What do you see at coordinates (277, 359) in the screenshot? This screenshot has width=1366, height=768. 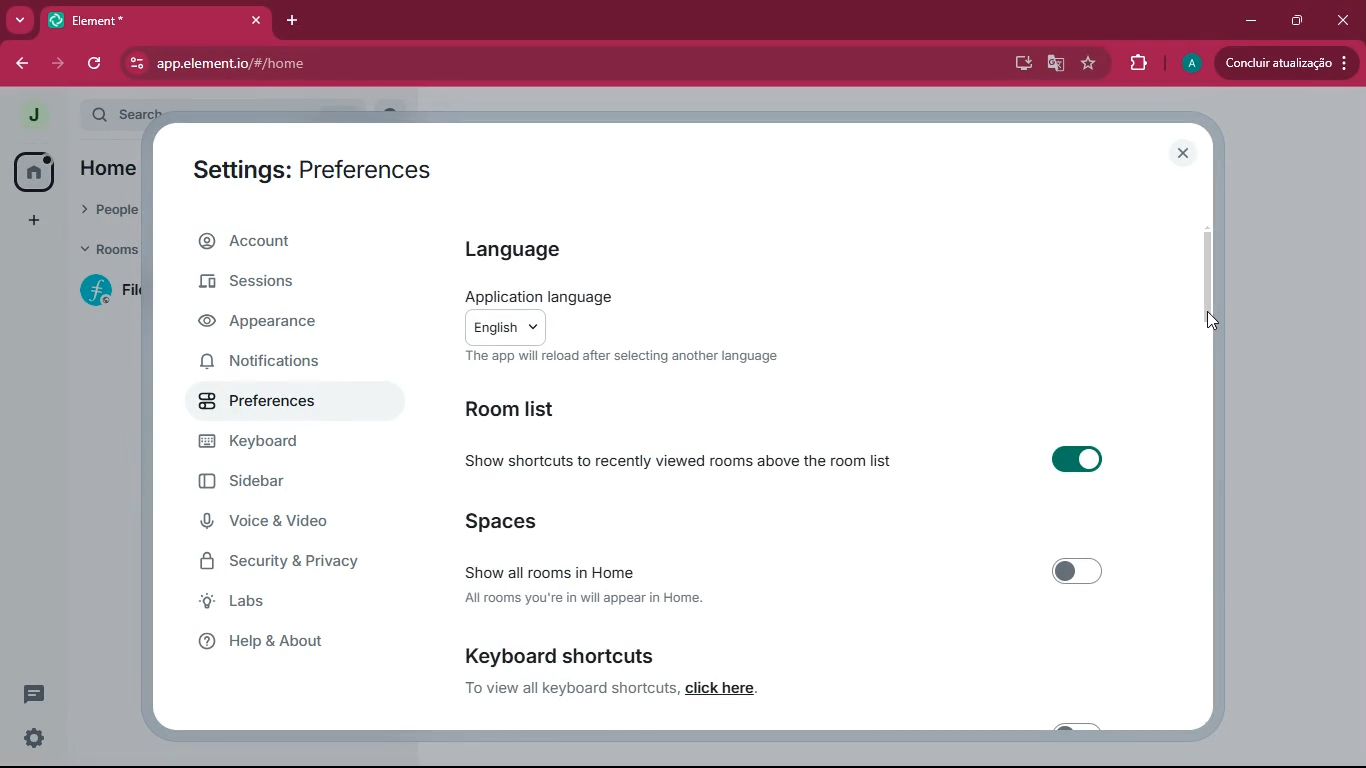 I see `notifications` at bounding box center [277, 359].